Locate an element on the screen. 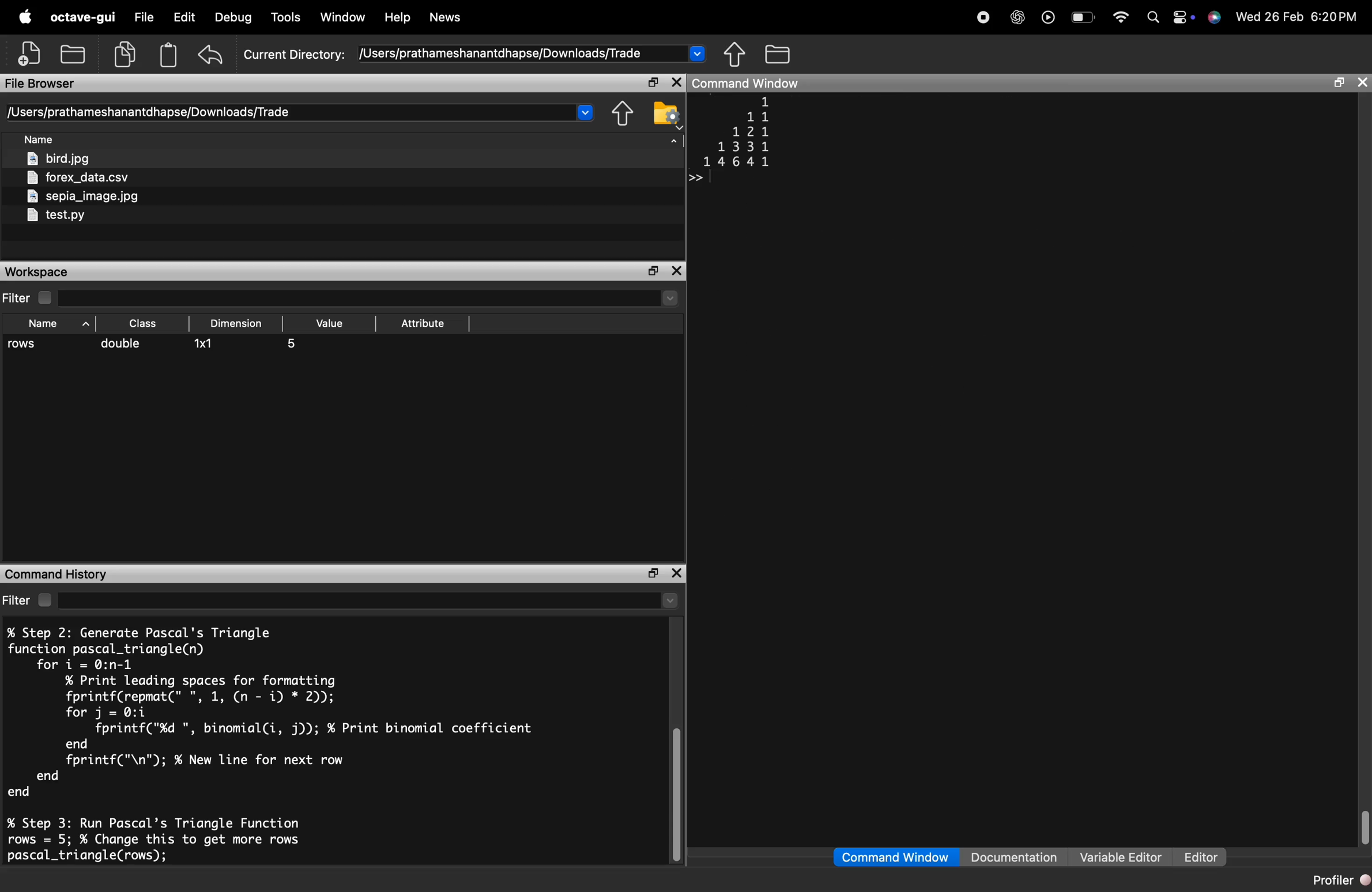 The height and width of the screenshot is (892, 1372). Editor is located at coordinates (1201, 857).